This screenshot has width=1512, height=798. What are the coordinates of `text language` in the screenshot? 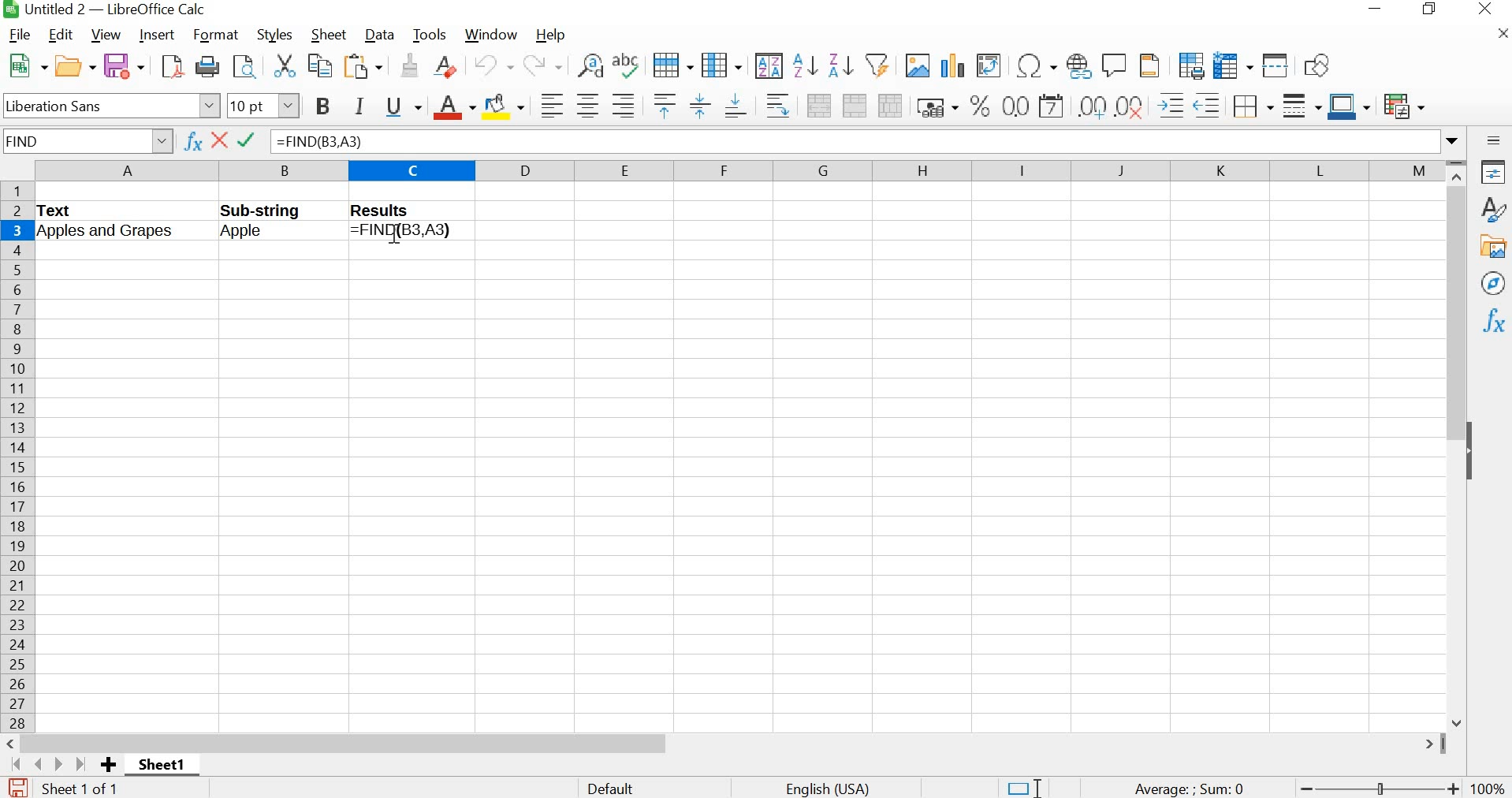 It's located at (836, 788).